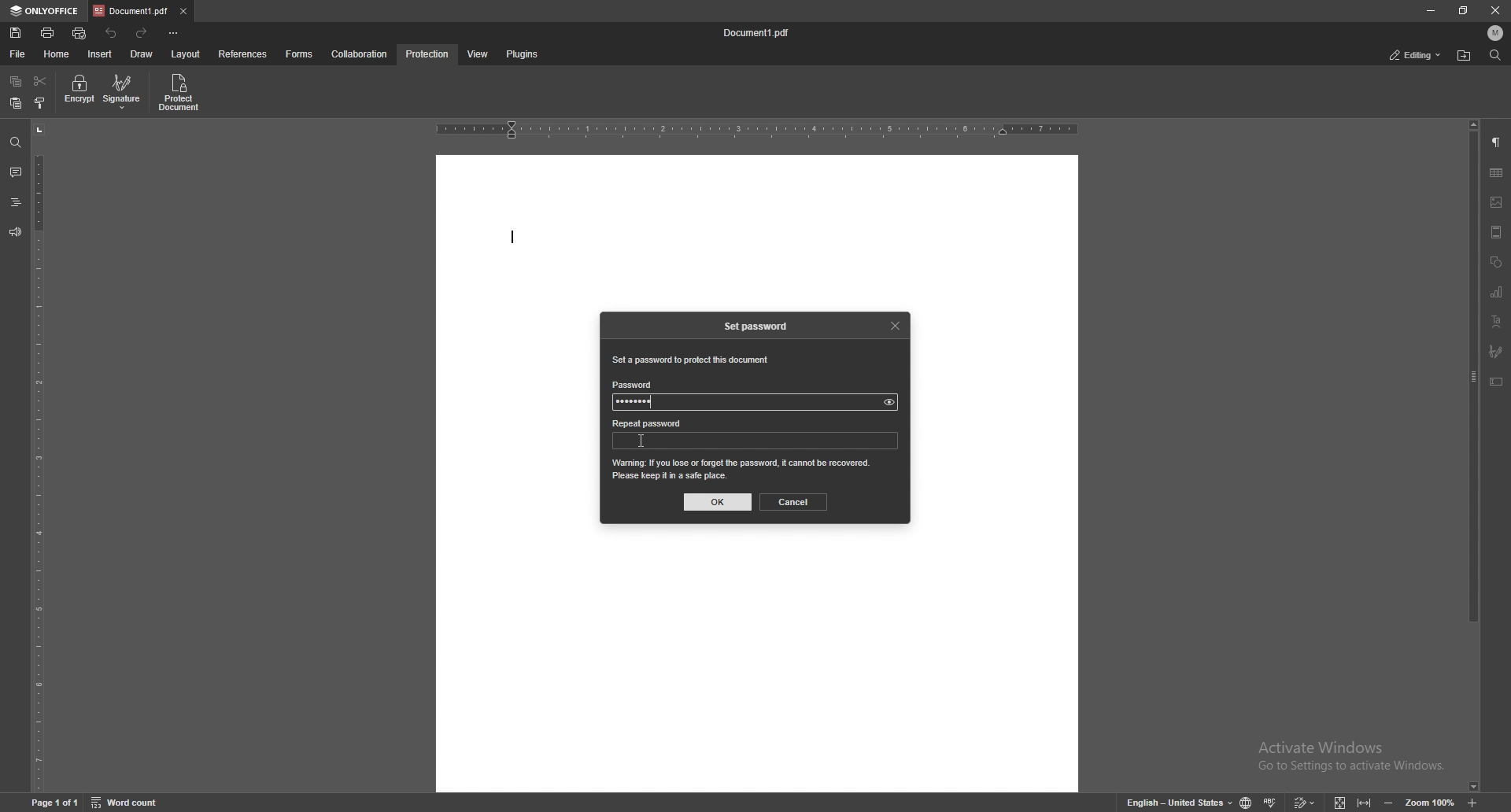  I want to click on change text language, so click(1180, 801).